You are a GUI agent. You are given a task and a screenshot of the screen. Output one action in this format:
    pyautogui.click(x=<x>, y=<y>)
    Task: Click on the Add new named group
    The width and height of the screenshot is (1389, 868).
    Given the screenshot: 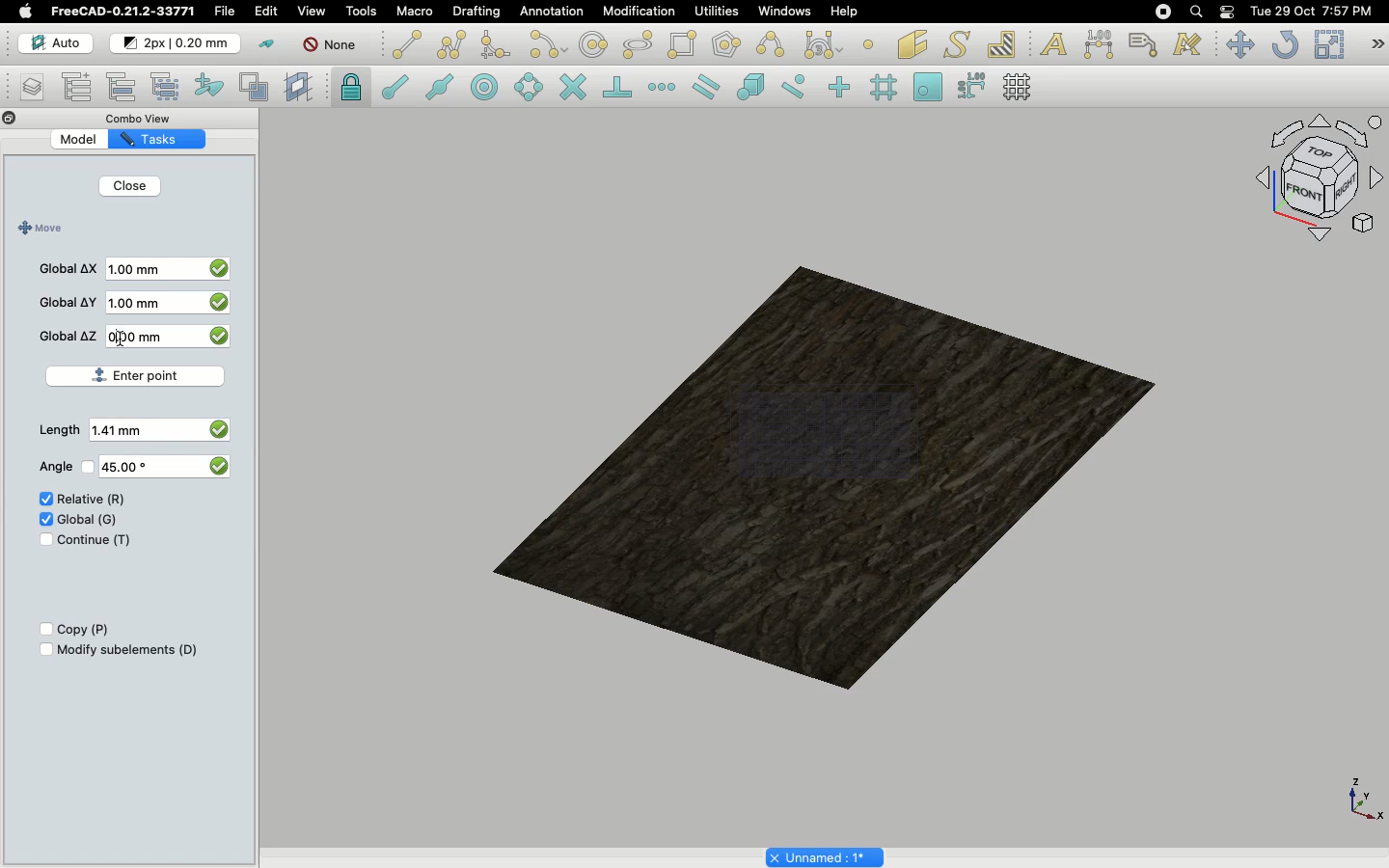 What is the action you would take?
    pyautogui.click(x=81, y=89)
    